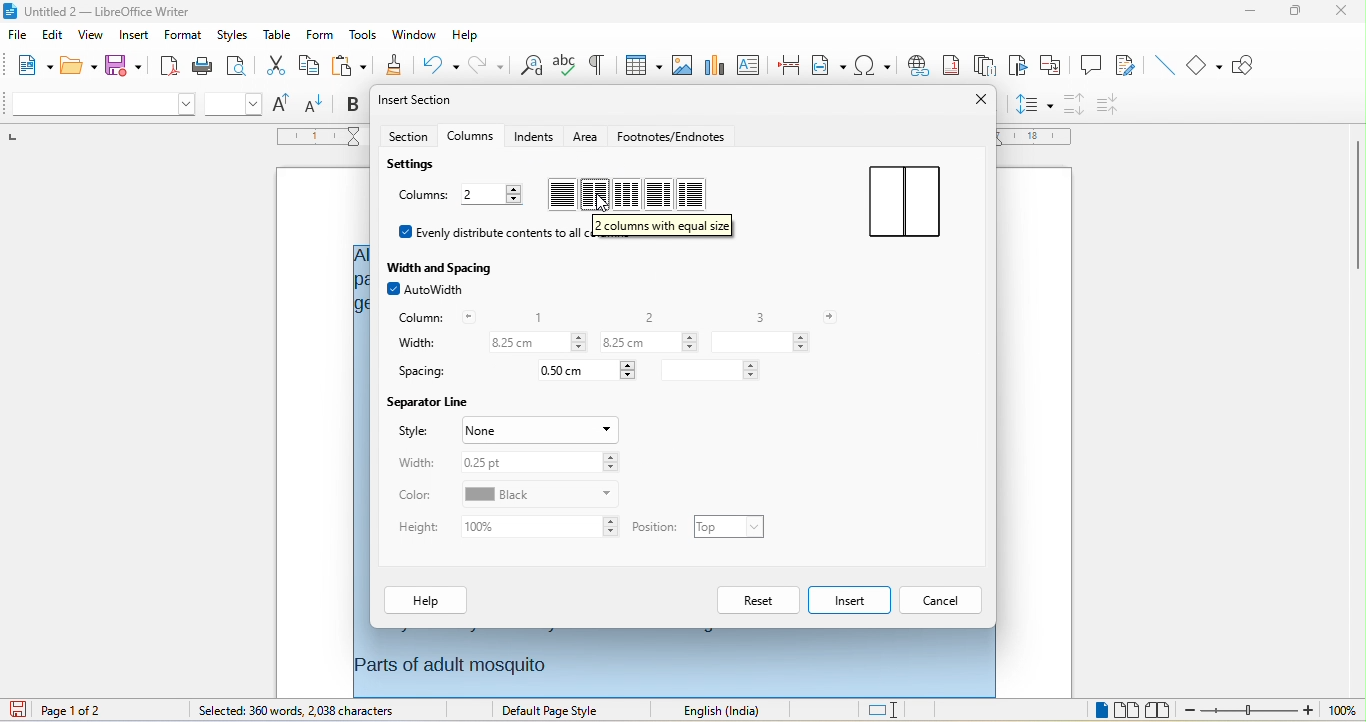  What do you see at coordinates (660, 229) in the screenshot?
I see `tool tips` at bounding box center [660, 229].